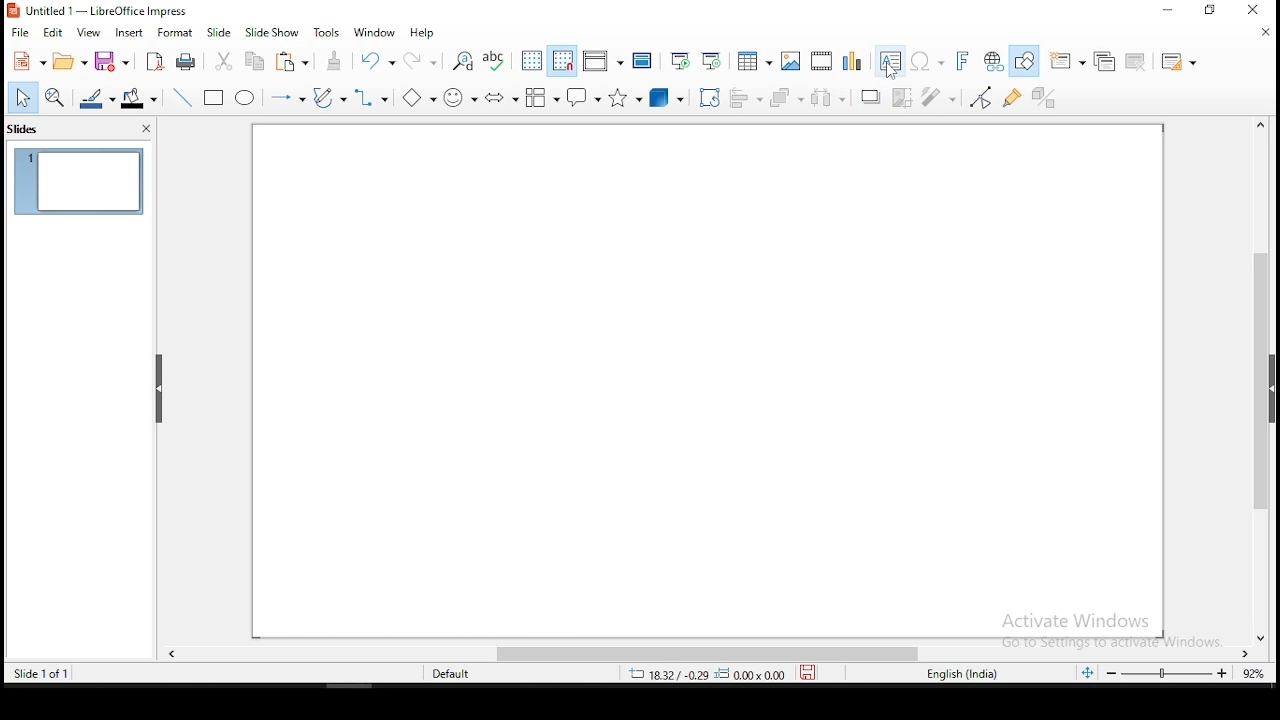 The height and width of the screenshot is (720, 1280). What do you see at coordinates (115, 62) in the screenshot?
I see `save` at bounding box center [115, 62].